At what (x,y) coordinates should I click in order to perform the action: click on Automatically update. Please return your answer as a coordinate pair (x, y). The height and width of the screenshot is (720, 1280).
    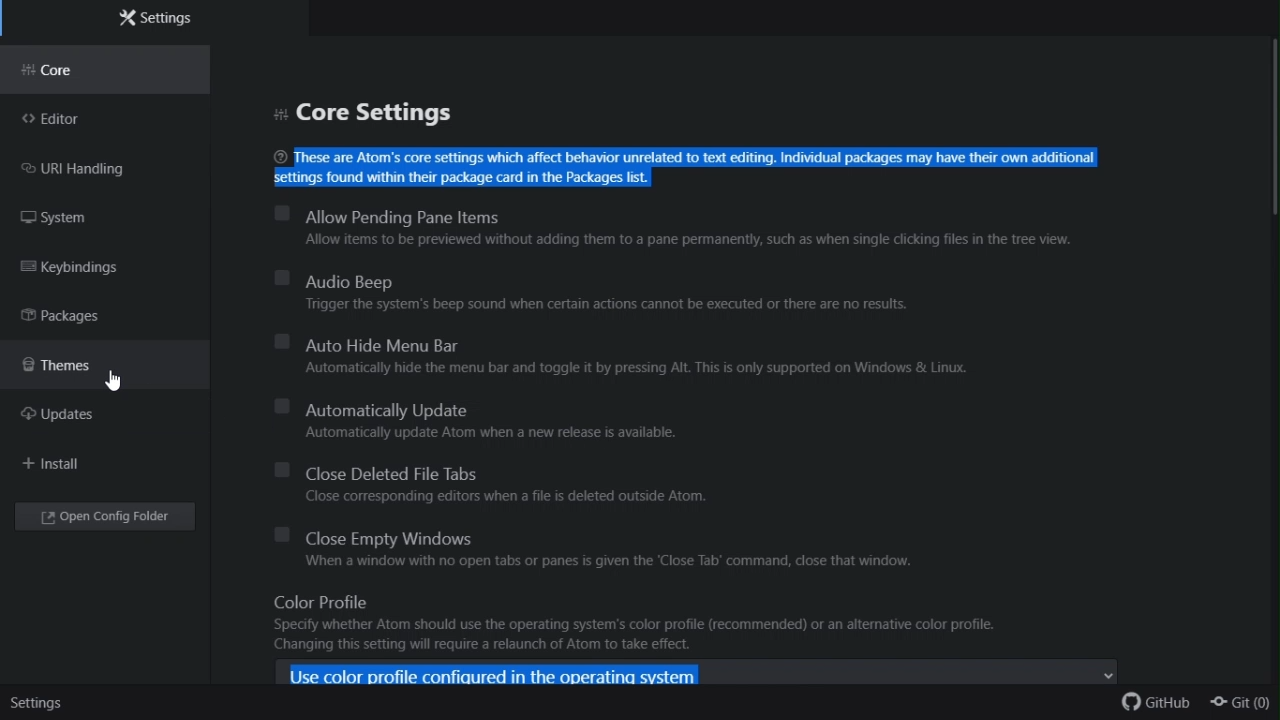
    Looking at the image, I should click on (506, 415).